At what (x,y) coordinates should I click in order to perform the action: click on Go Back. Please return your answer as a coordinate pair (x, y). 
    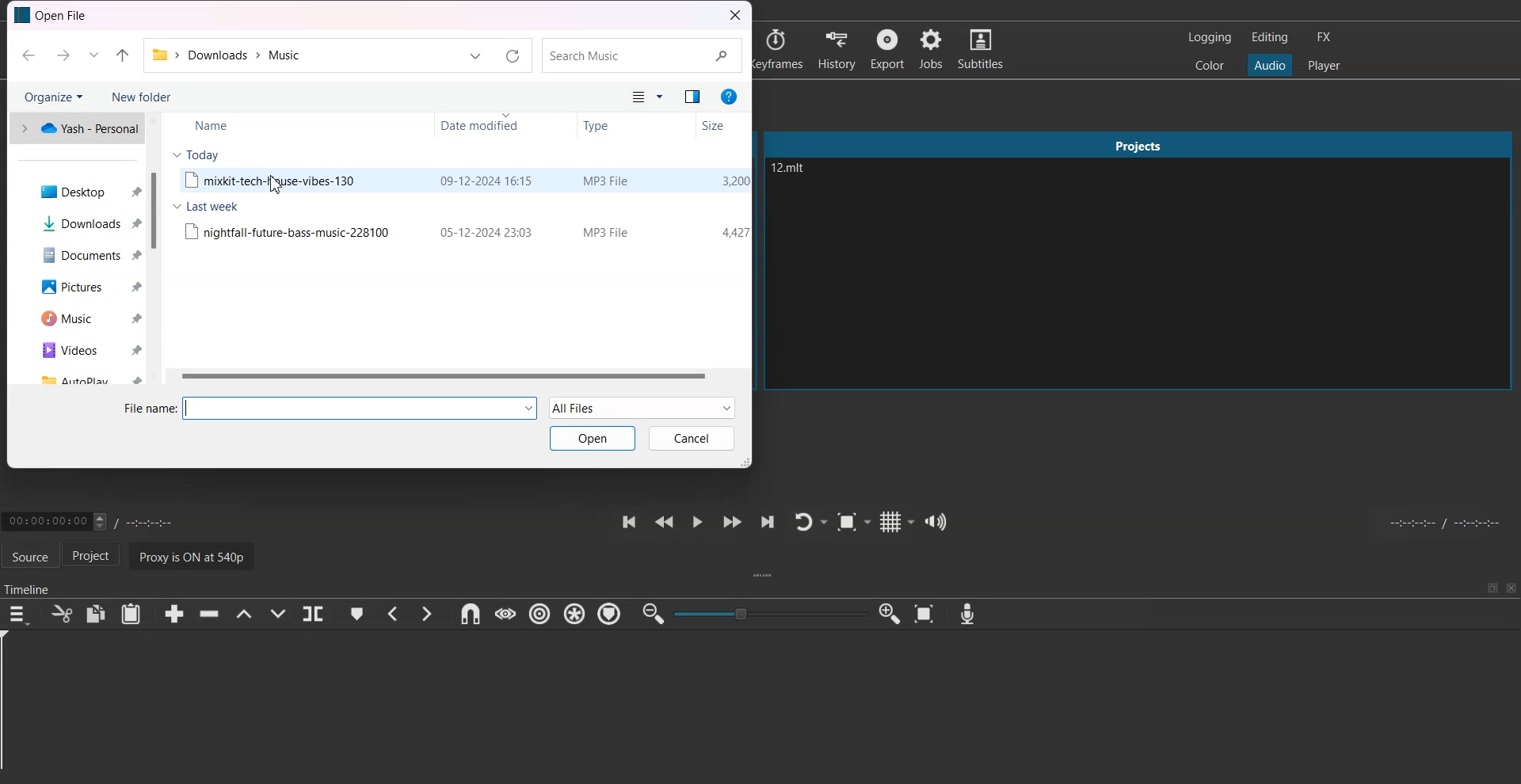
    Looking at the image, I should click on (28, 56).